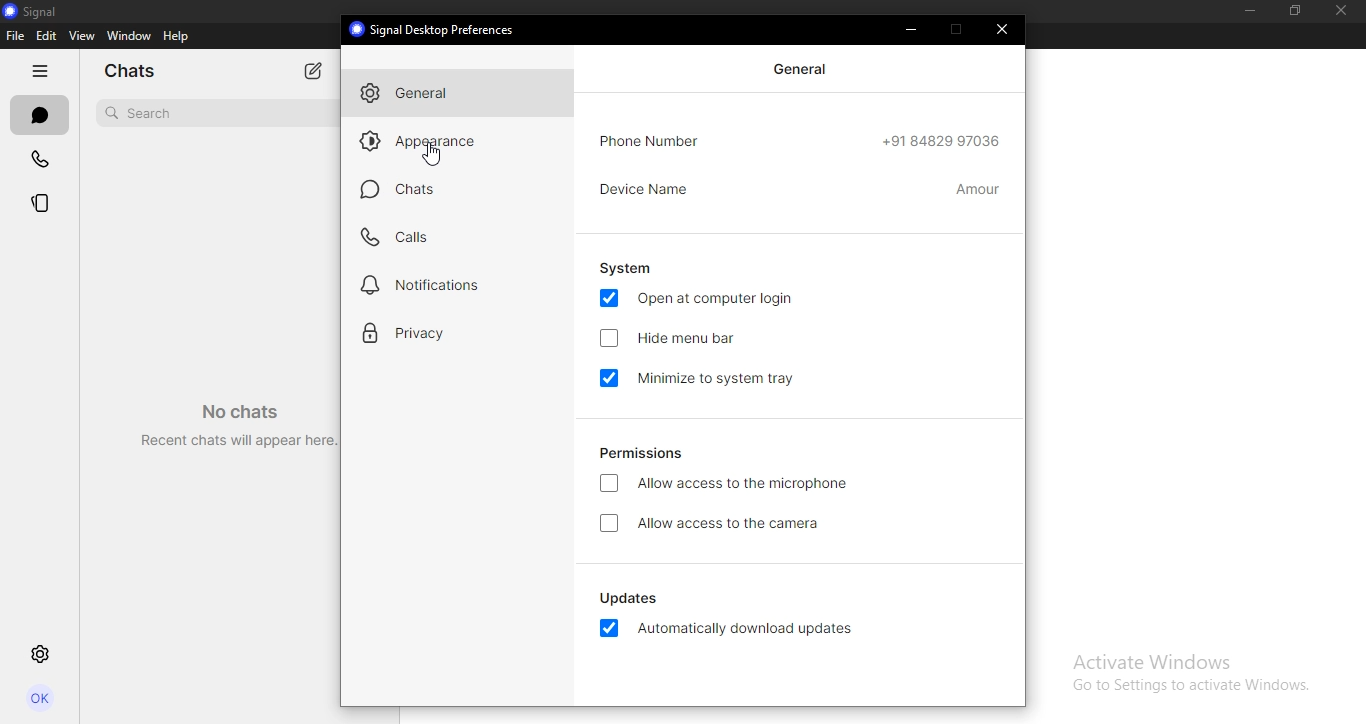  What do you see at coordinates (800, 142) in the screenshot?
I see `phone number details` at bounding box center [800, 142].